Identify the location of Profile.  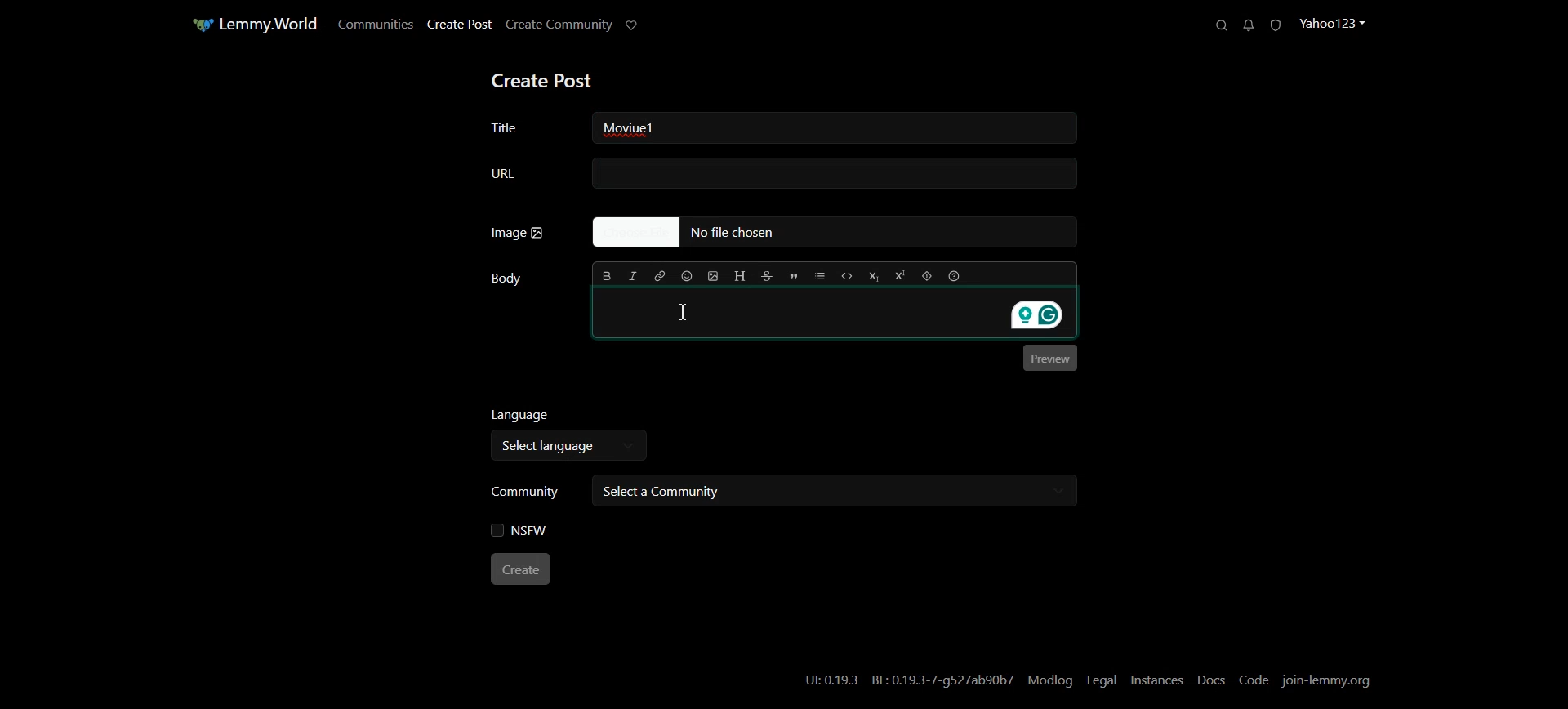
(1337, 23).